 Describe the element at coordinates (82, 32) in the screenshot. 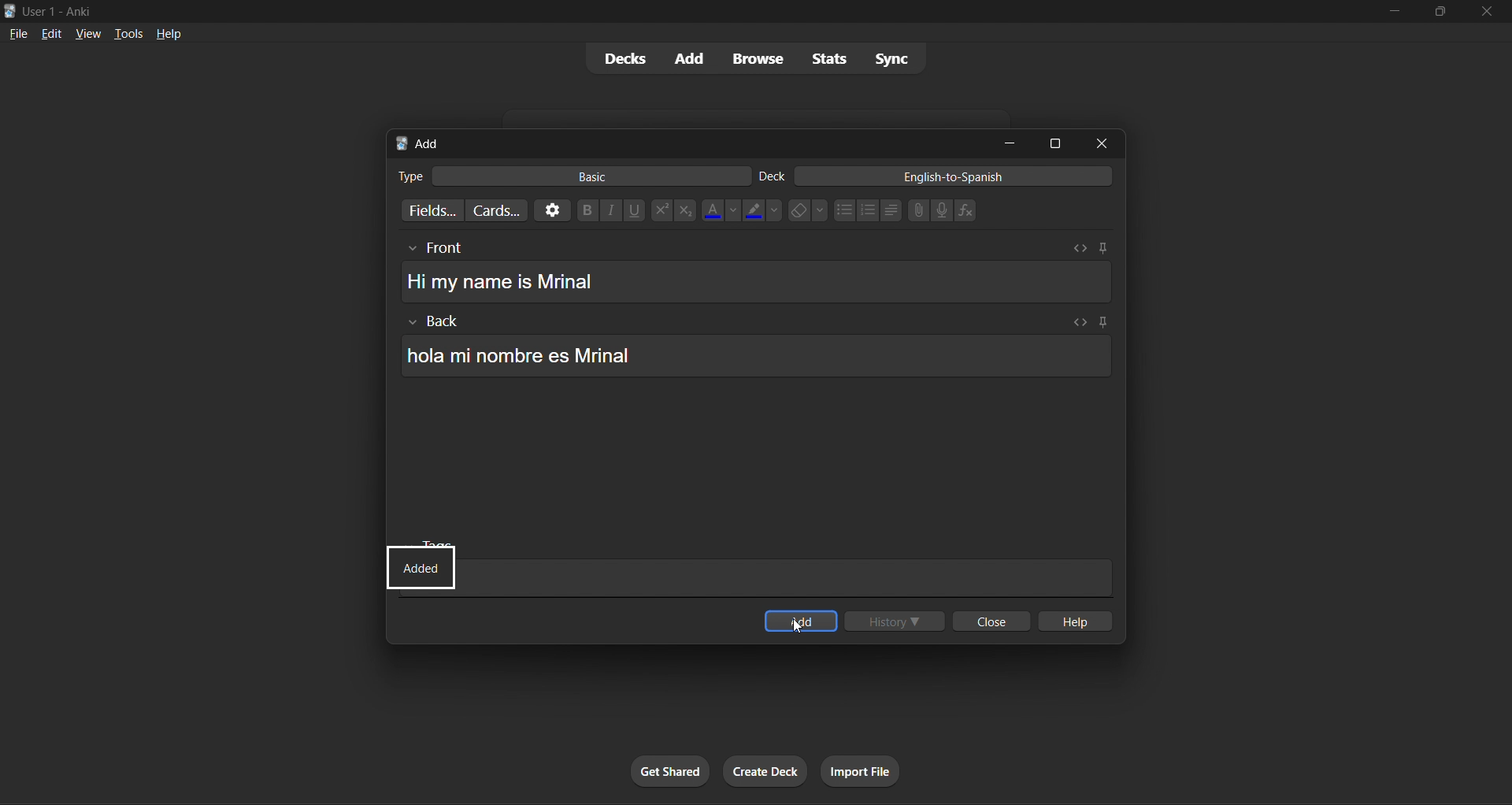

I see `view` at that location.